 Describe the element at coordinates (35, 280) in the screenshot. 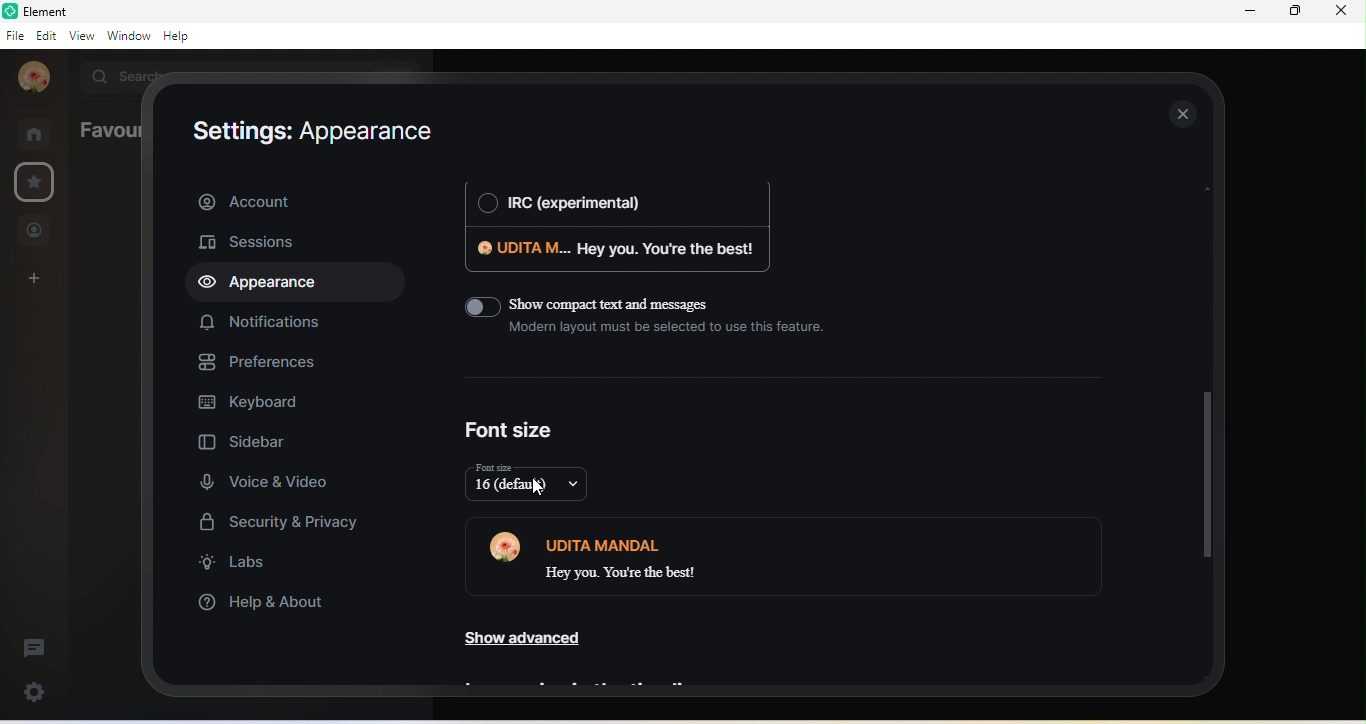

I see `create a space` at that location.